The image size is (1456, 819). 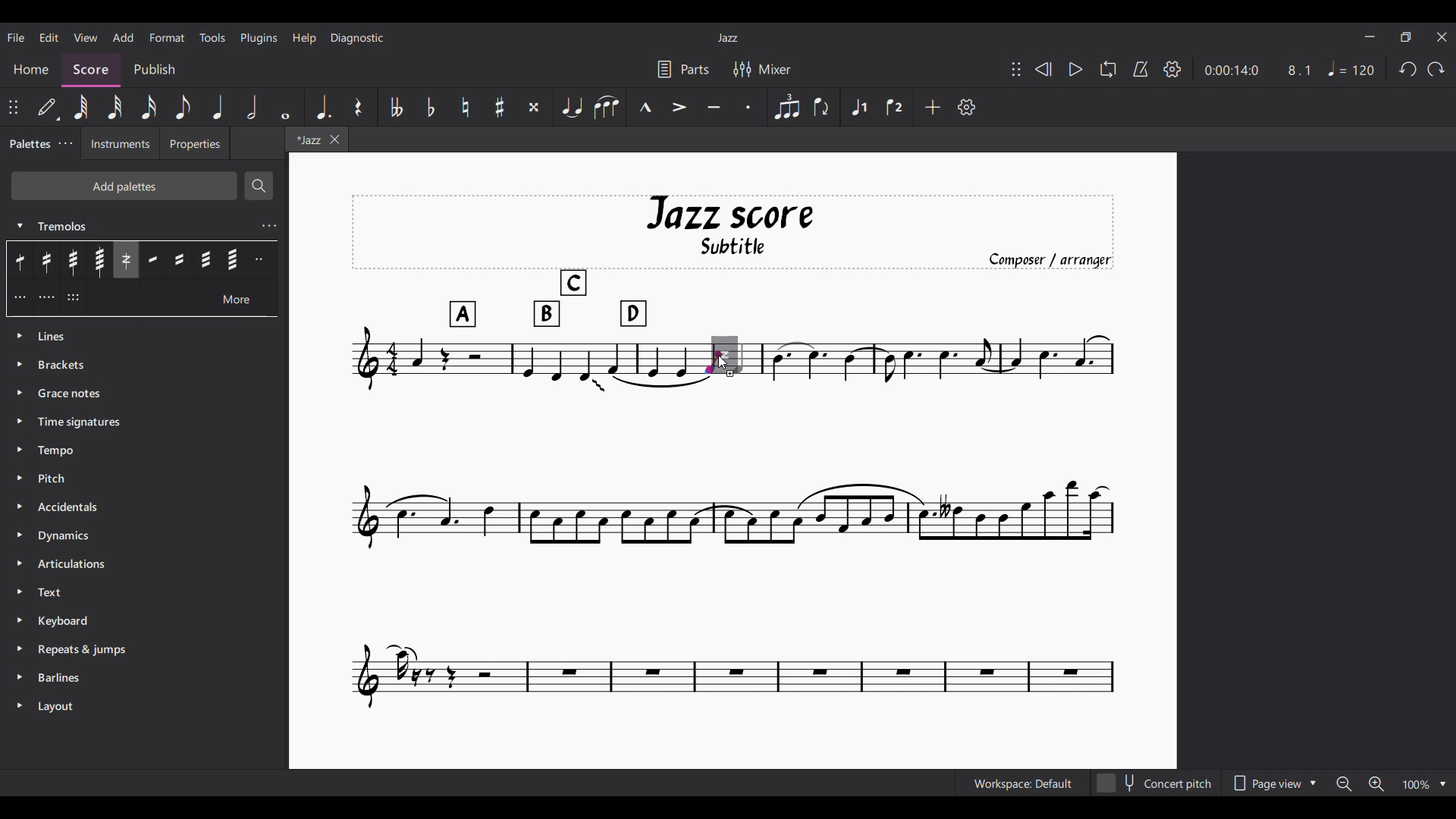 I want to click on 8th between notes, so click(x=152, y=259).